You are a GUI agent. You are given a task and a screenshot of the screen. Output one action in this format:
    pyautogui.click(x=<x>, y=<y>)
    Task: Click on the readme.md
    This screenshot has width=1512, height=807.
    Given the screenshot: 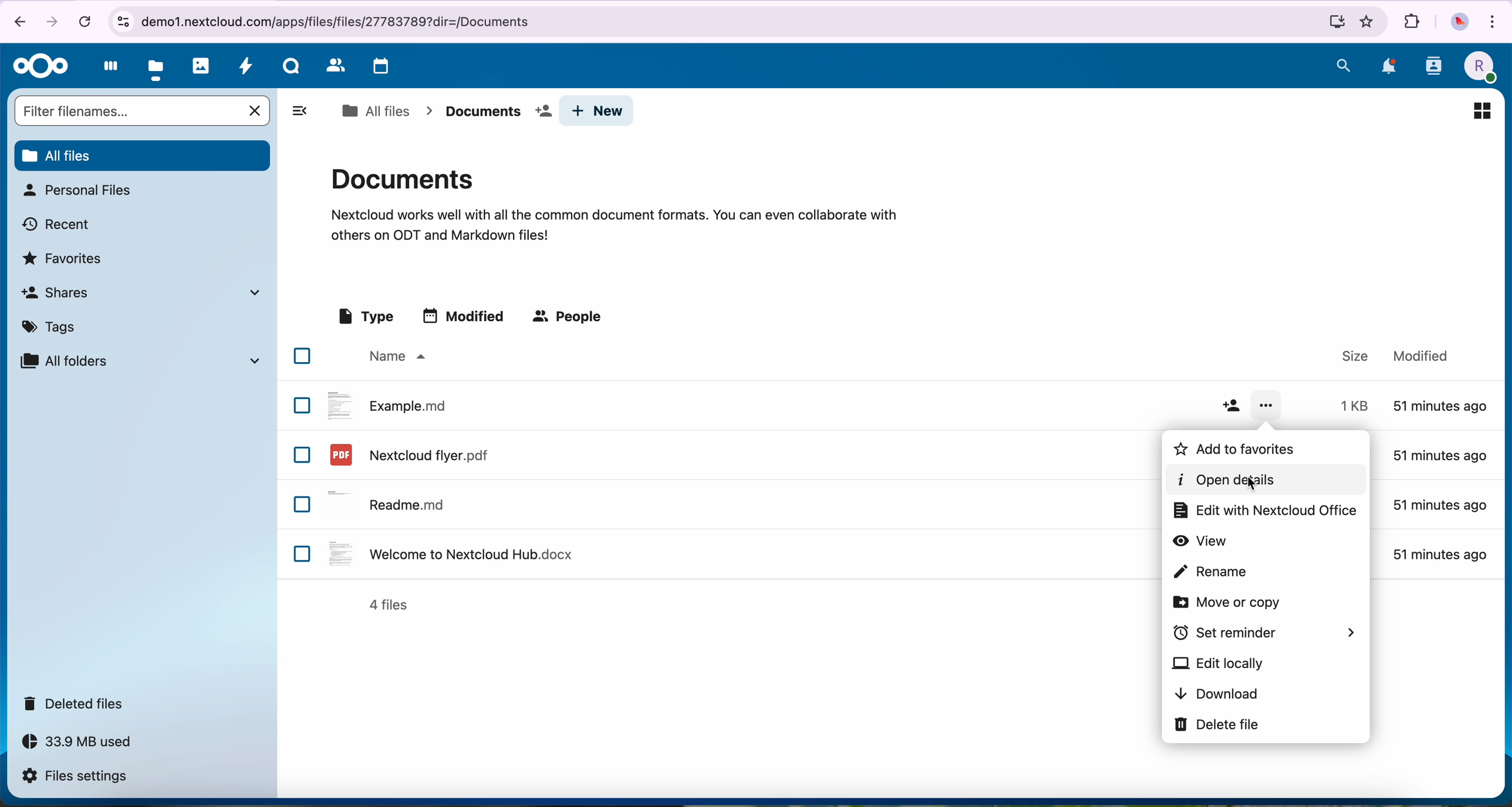 What is the action you would take?
    pyautogui.click(x=390, y=502)
    